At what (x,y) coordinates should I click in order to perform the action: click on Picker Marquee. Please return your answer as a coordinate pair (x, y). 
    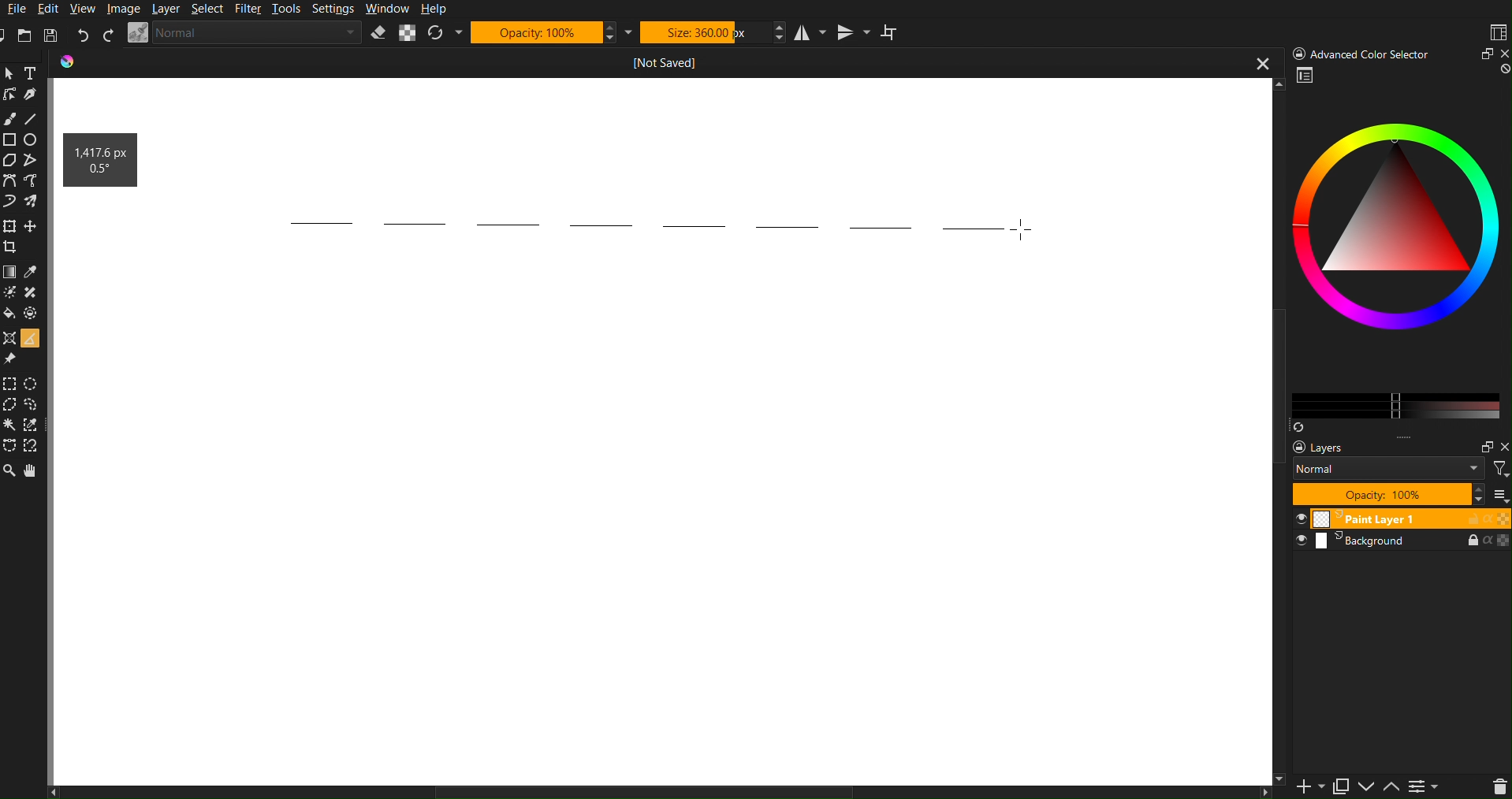
    Looking at the image, I should click on (33, 426).